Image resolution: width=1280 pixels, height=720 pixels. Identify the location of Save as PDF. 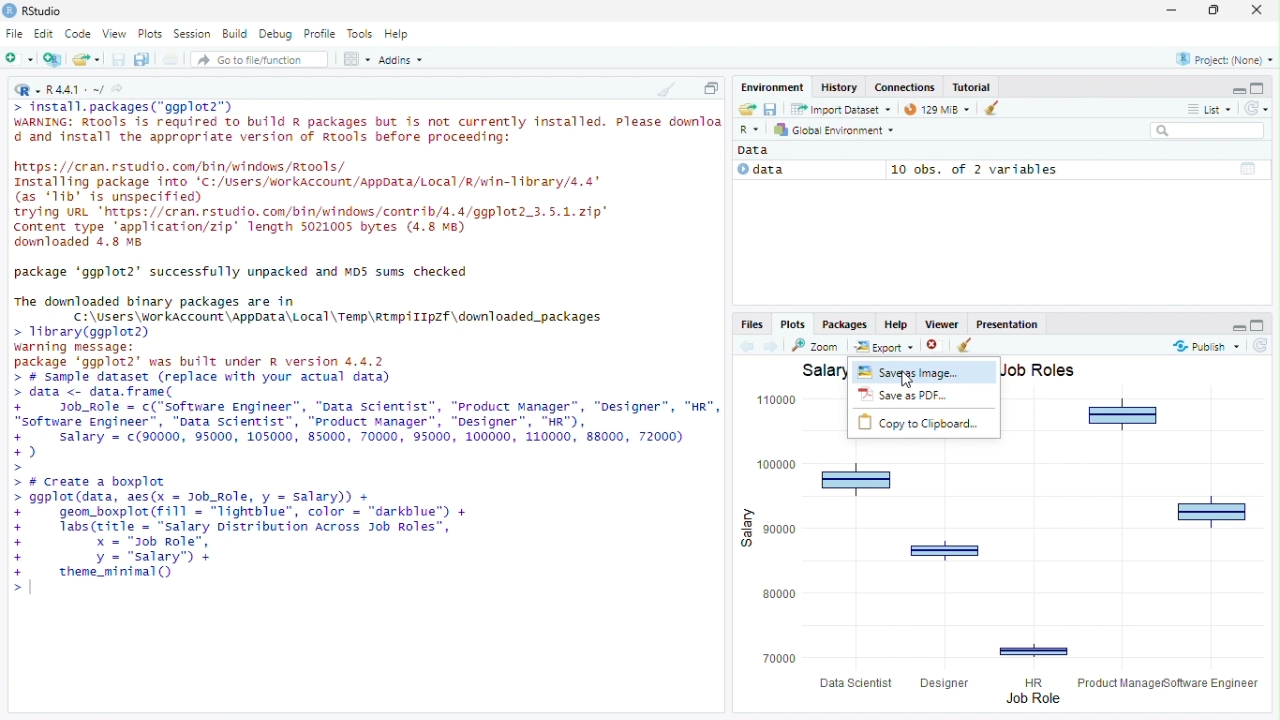
(926, 397).